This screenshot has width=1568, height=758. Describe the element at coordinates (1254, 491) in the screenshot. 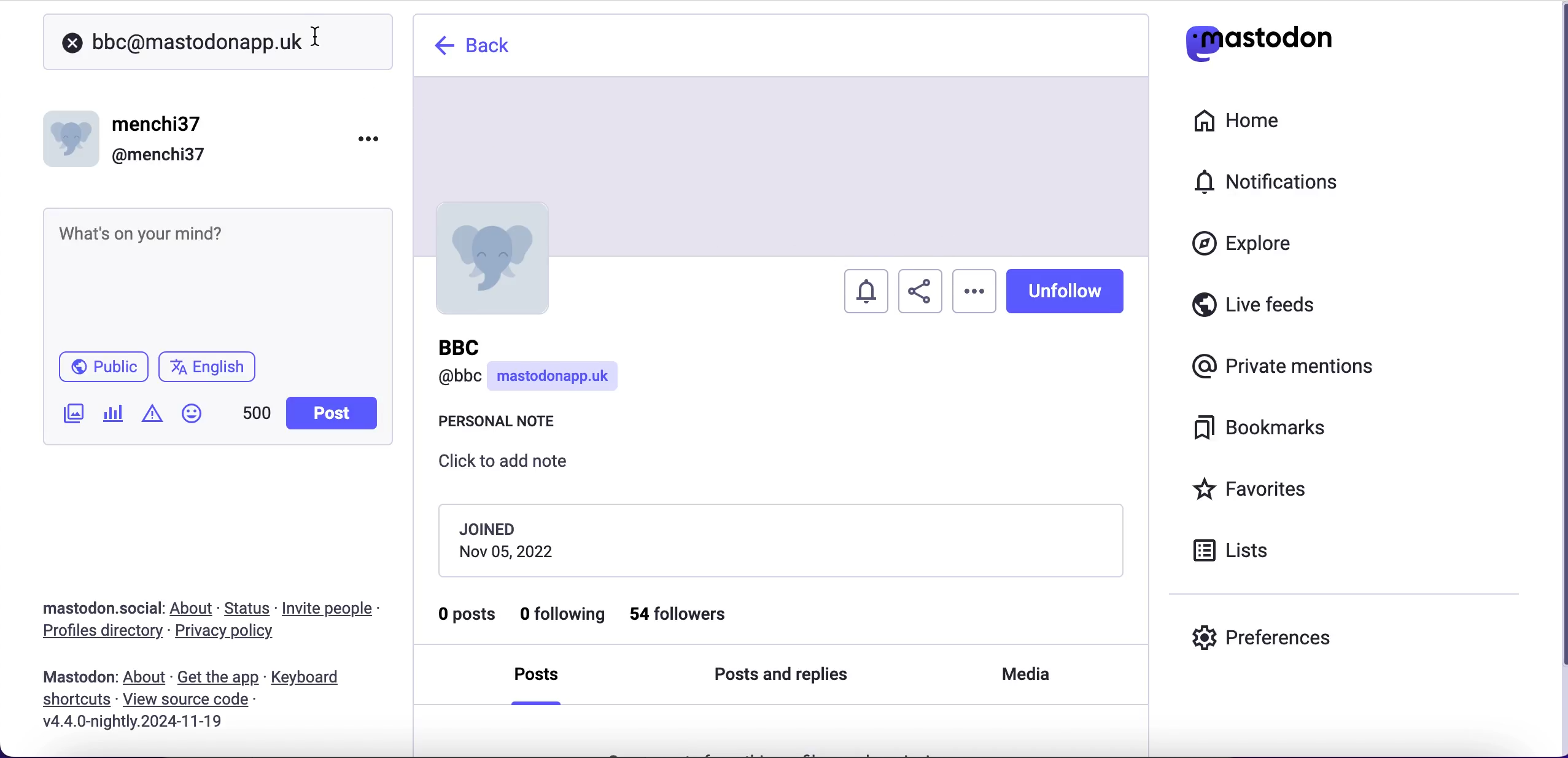

I see `favorites` at that location.